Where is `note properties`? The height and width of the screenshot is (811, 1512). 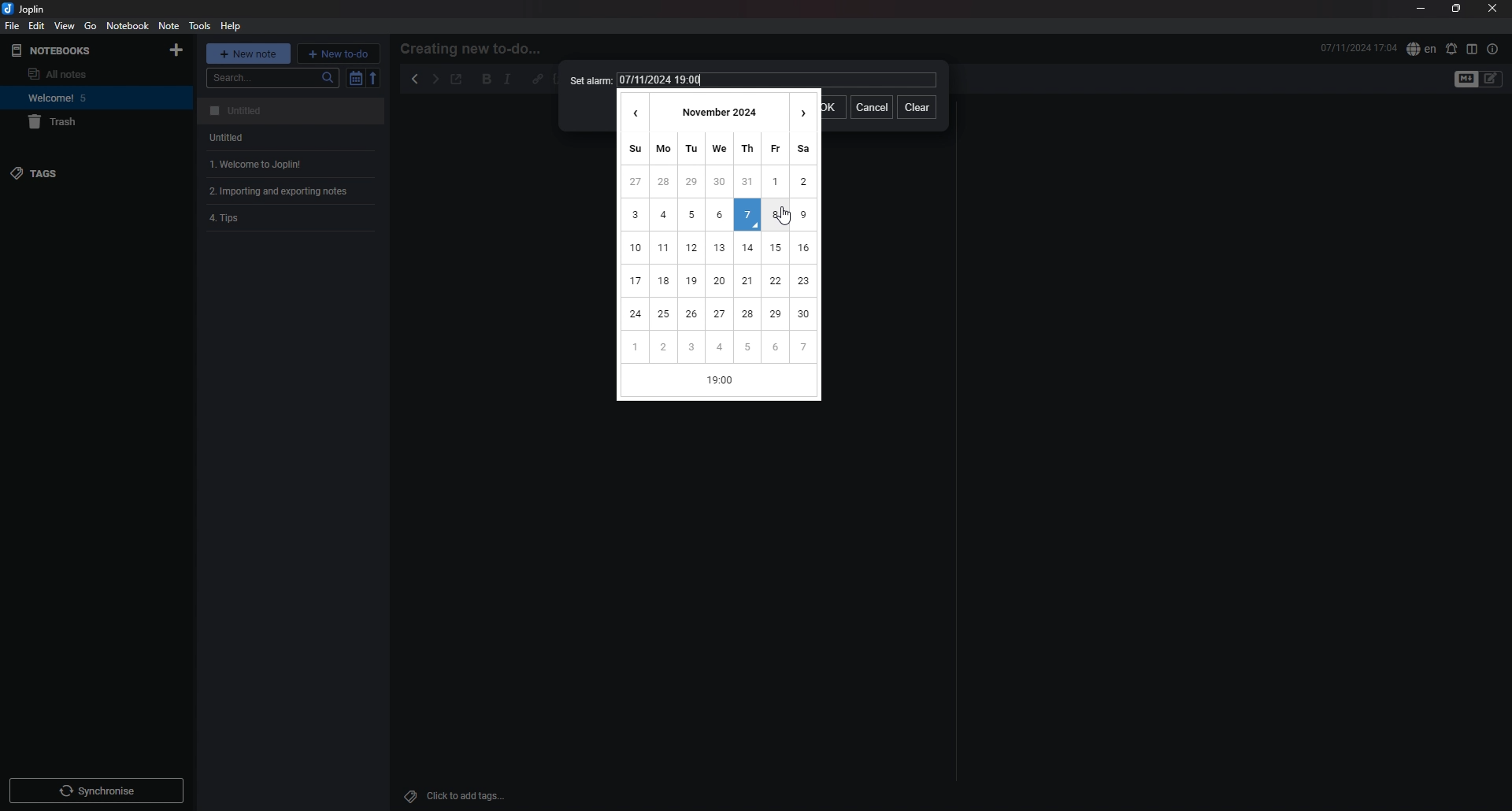 note properties is located at coordinates (1494, 50).